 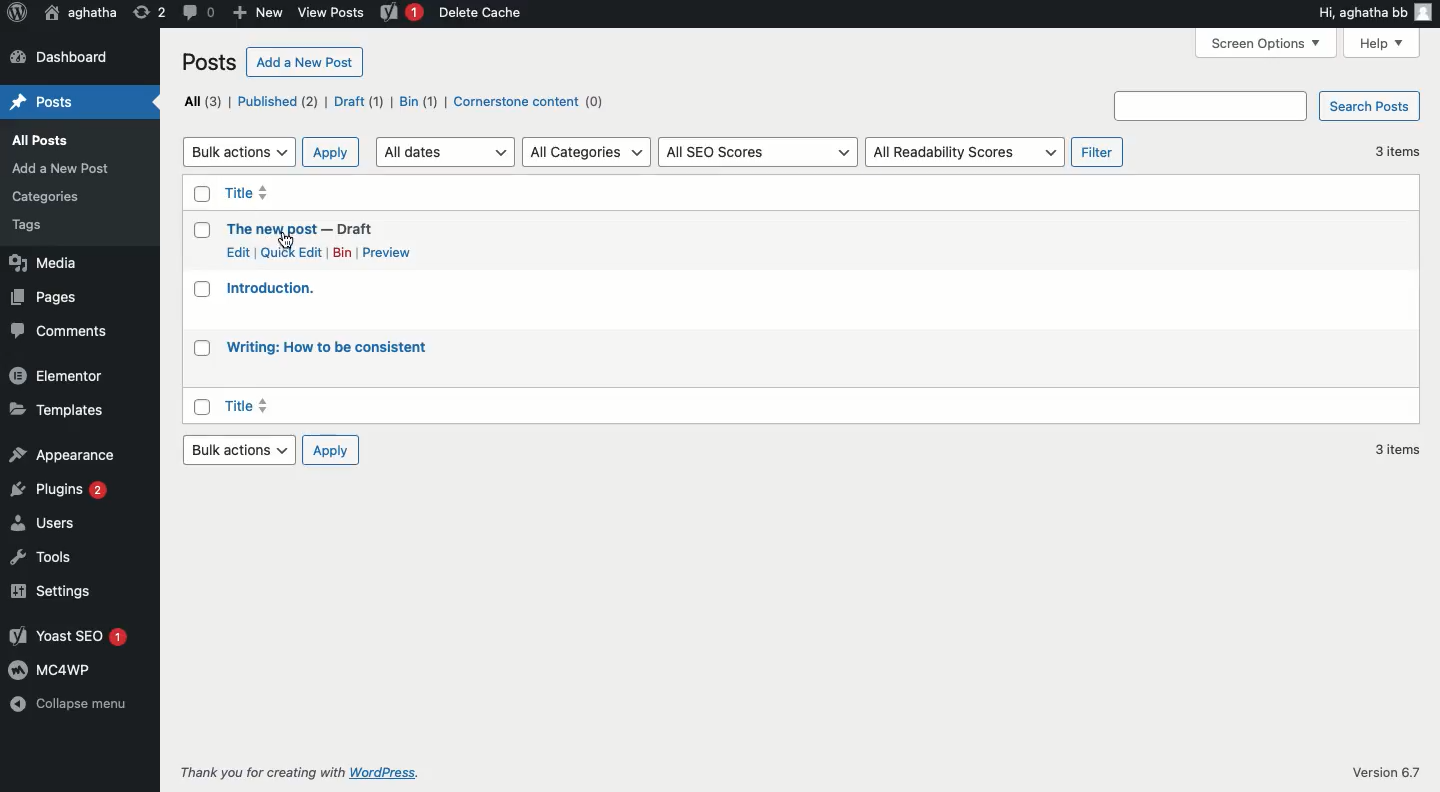 What do you see at coordinates (200, 230) in the screenshot?
I see `Check box` at bounding box center [200, 230].